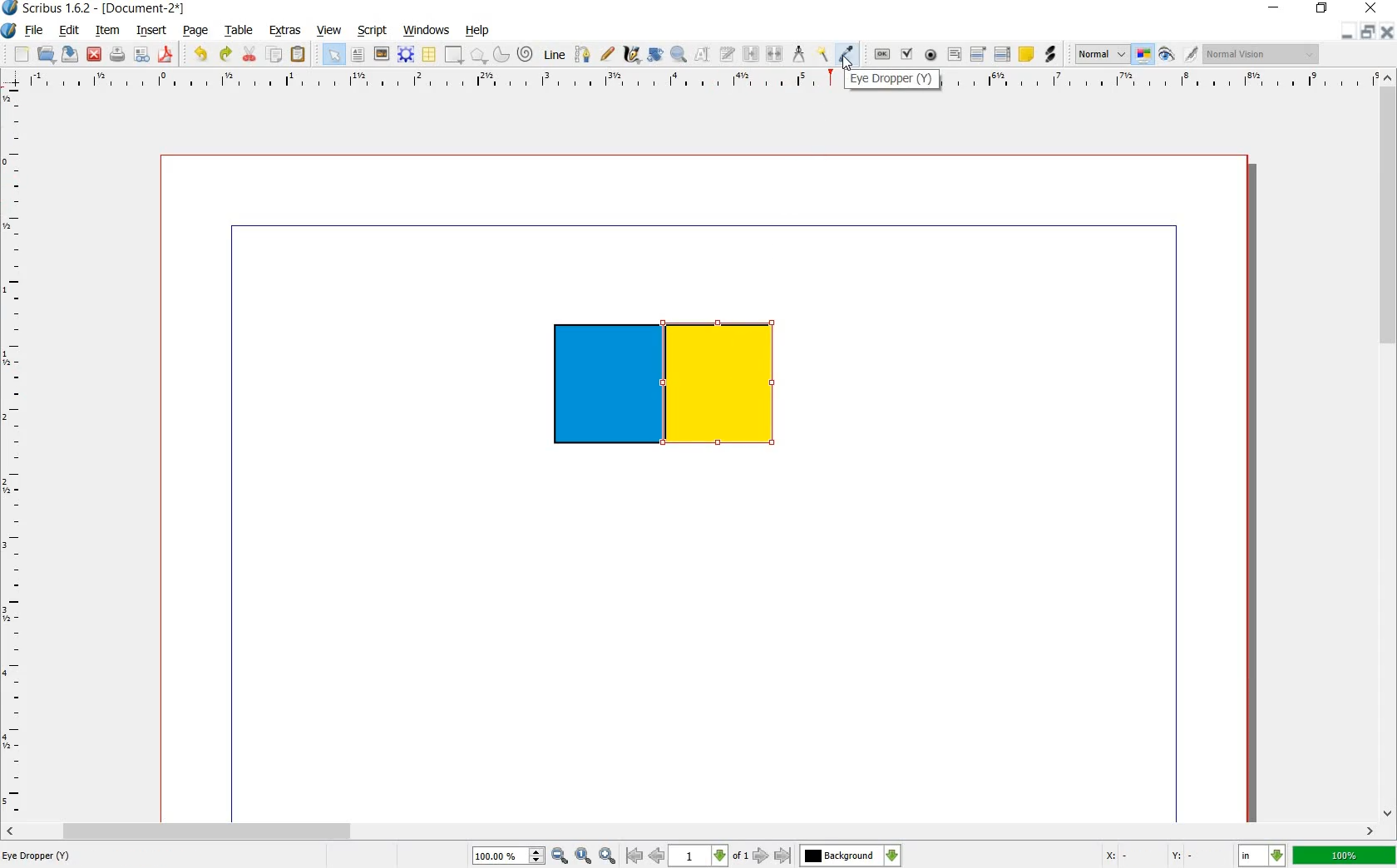  I want to click on page, so click(196, 32).